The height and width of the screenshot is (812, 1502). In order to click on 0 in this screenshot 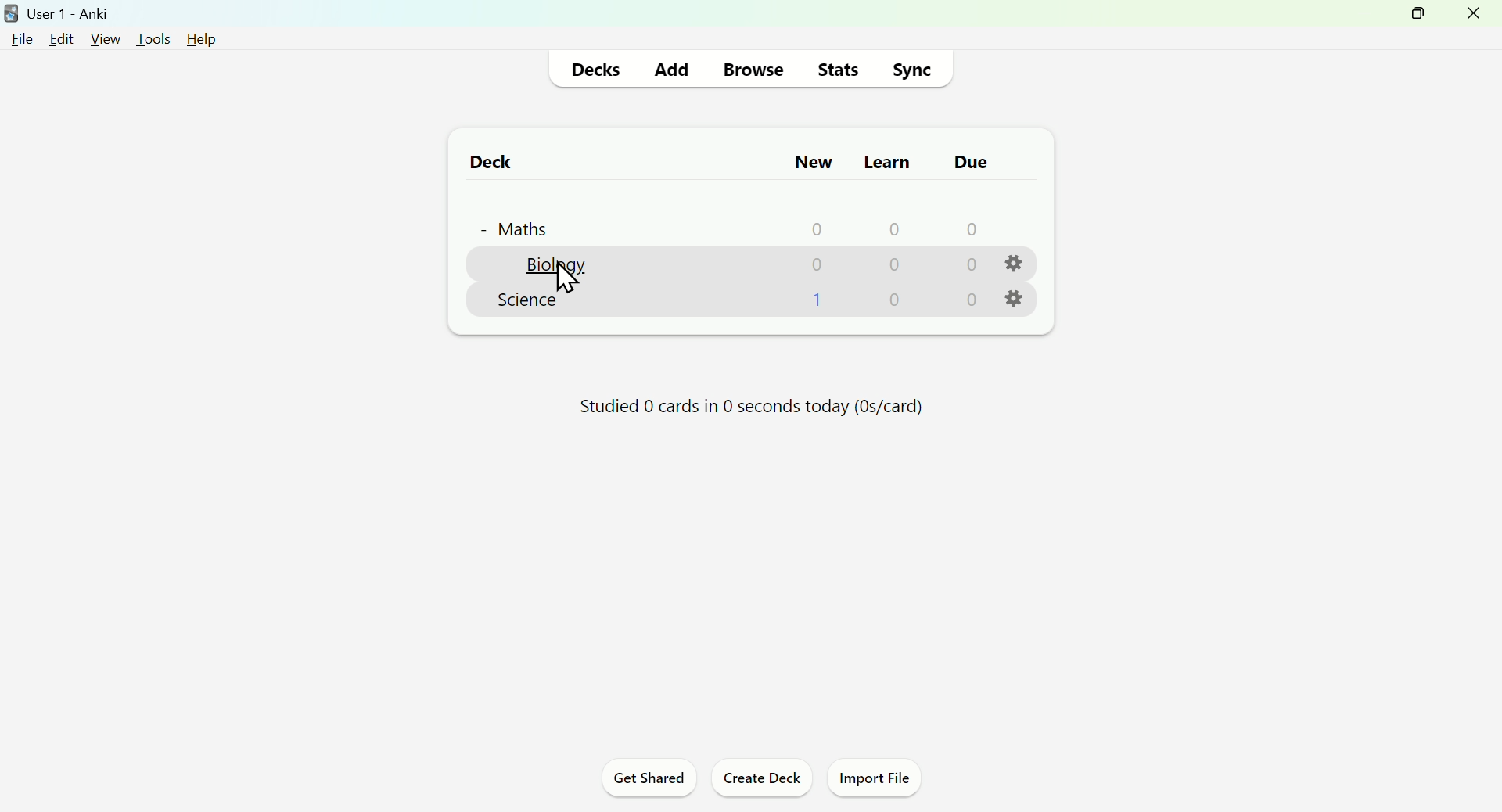, I will do `click(968, 266)`.